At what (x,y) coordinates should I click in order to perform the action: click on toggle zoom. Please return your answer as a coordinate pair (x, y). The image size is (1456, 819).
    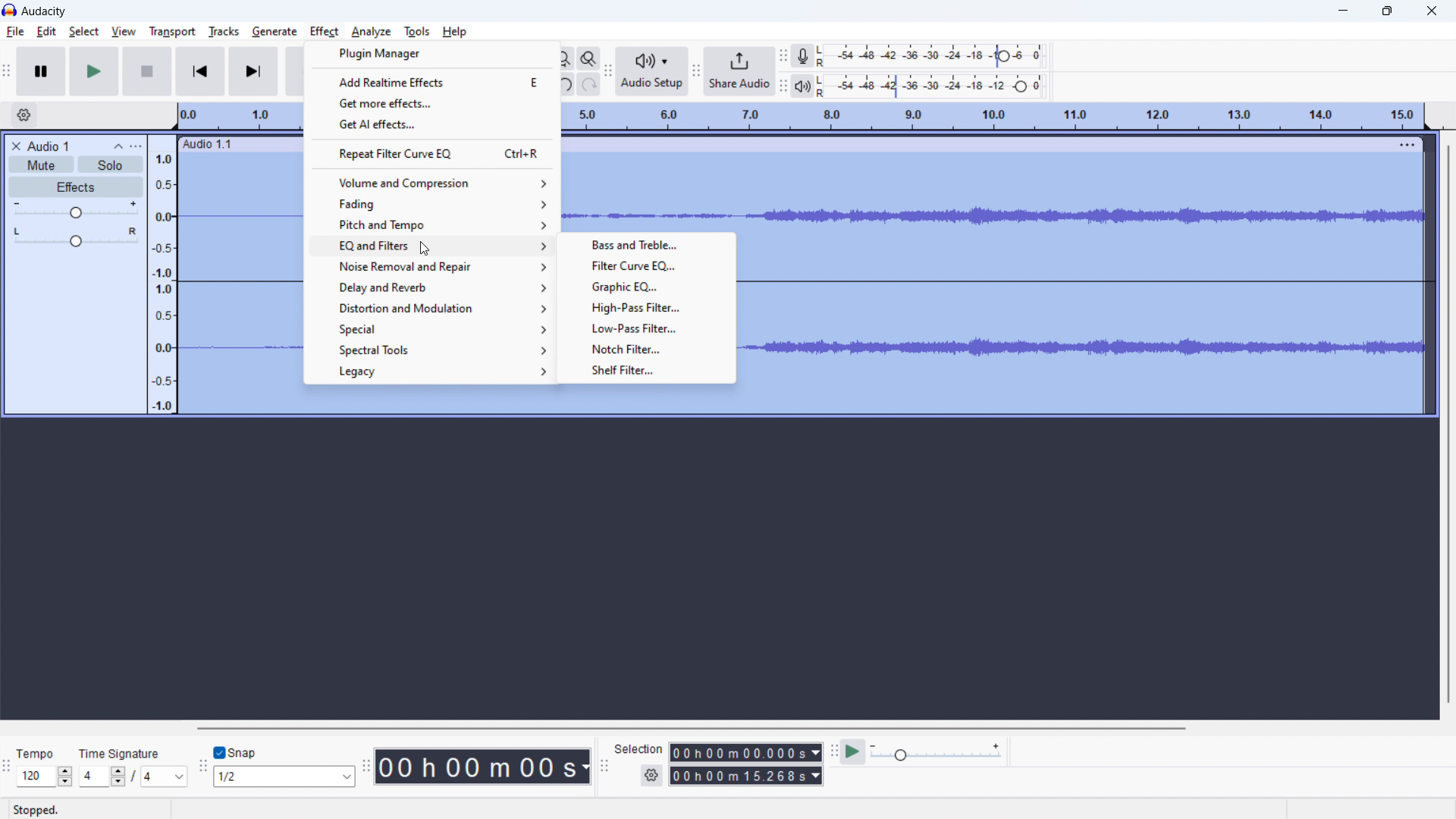
    Looking at the image, I should click on (589, 59).